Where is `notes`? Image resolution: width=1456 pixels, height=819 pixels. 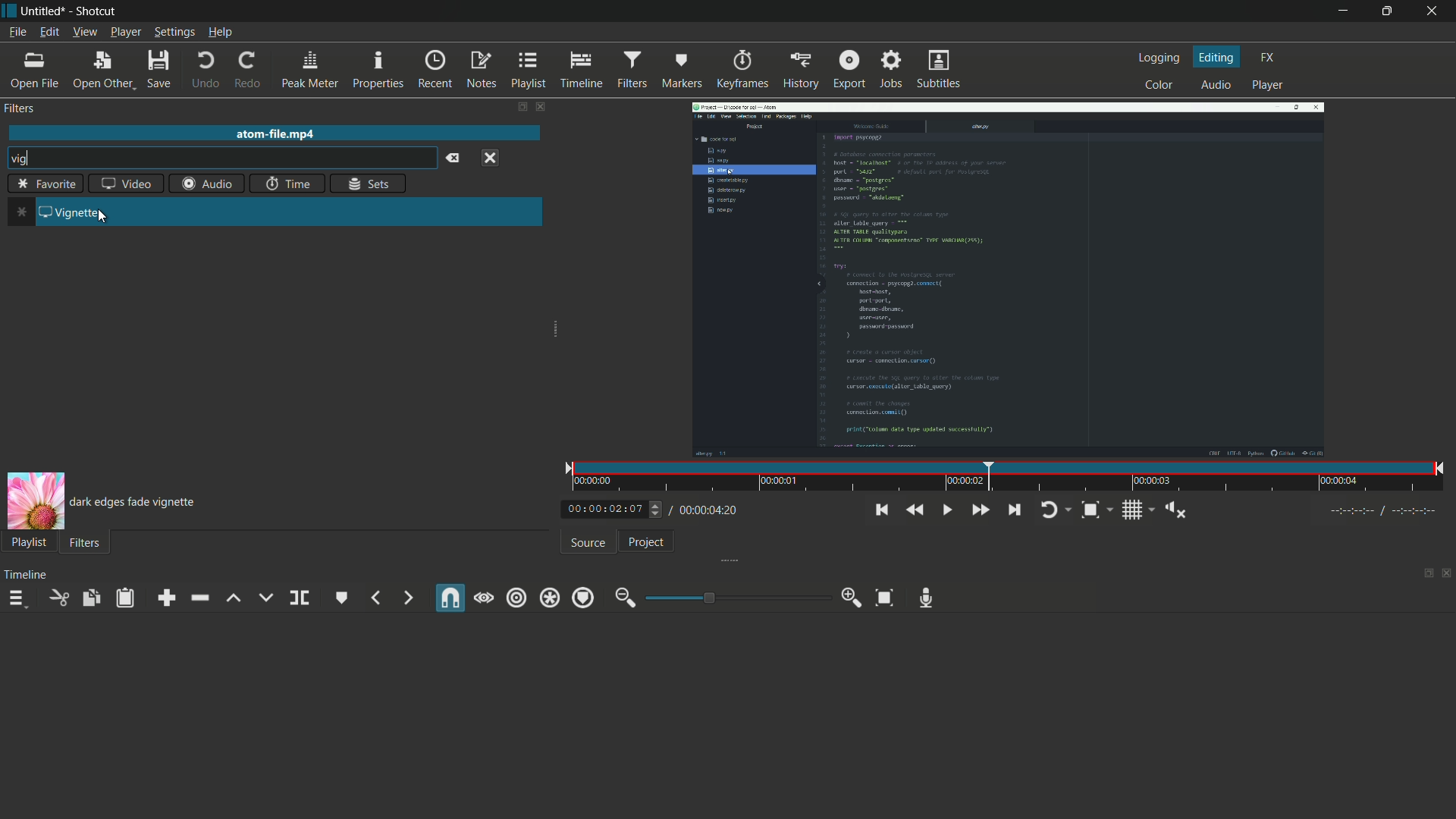 notes is located at coordinates (480, 71).